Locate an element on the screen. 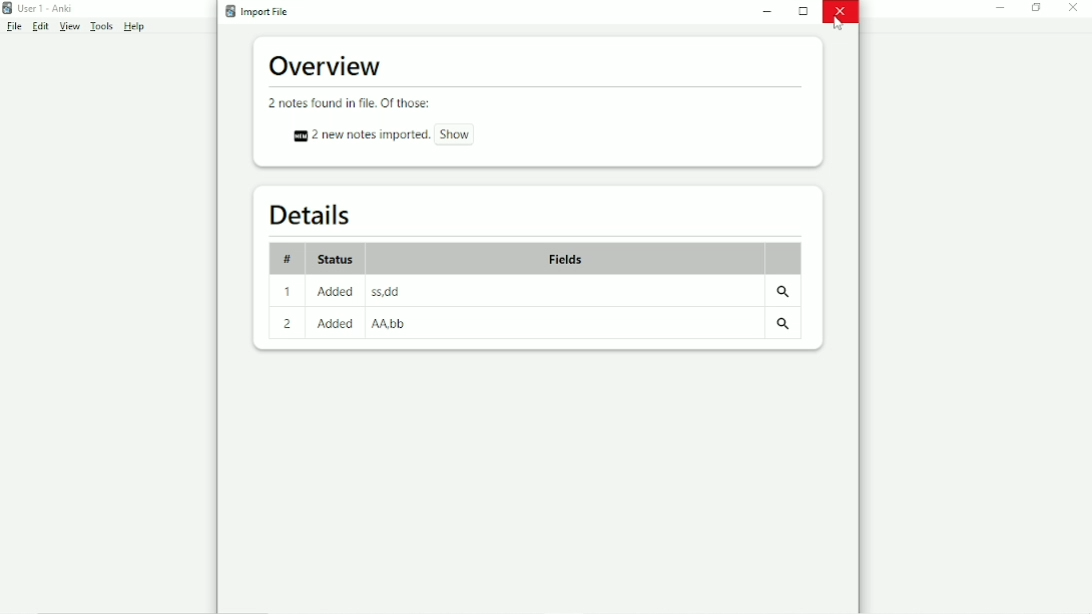 This screenshot has height=614, width=1092. Cursor is located at coordinates (838, 23).